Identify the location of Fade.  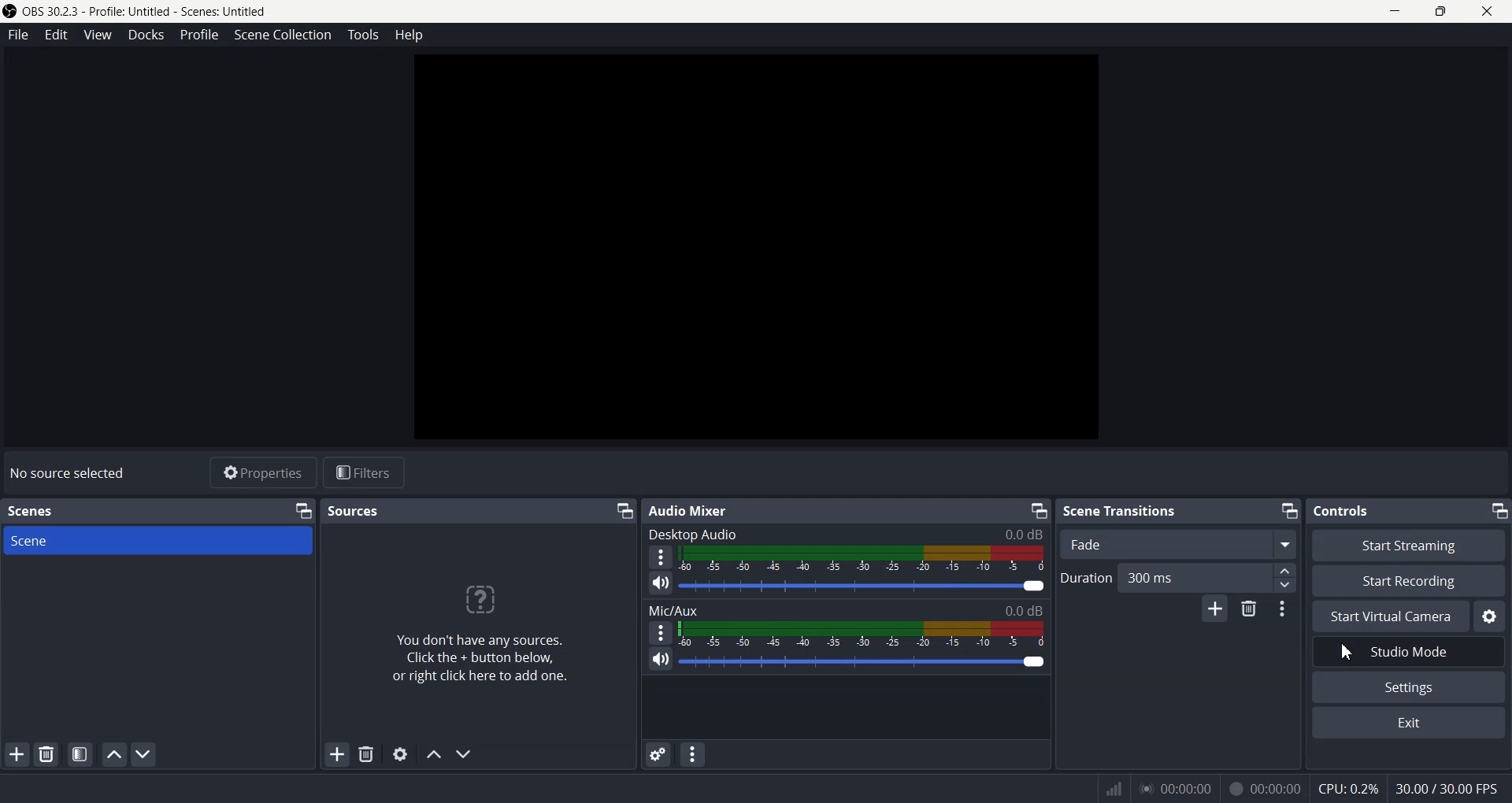
(1178, 543).